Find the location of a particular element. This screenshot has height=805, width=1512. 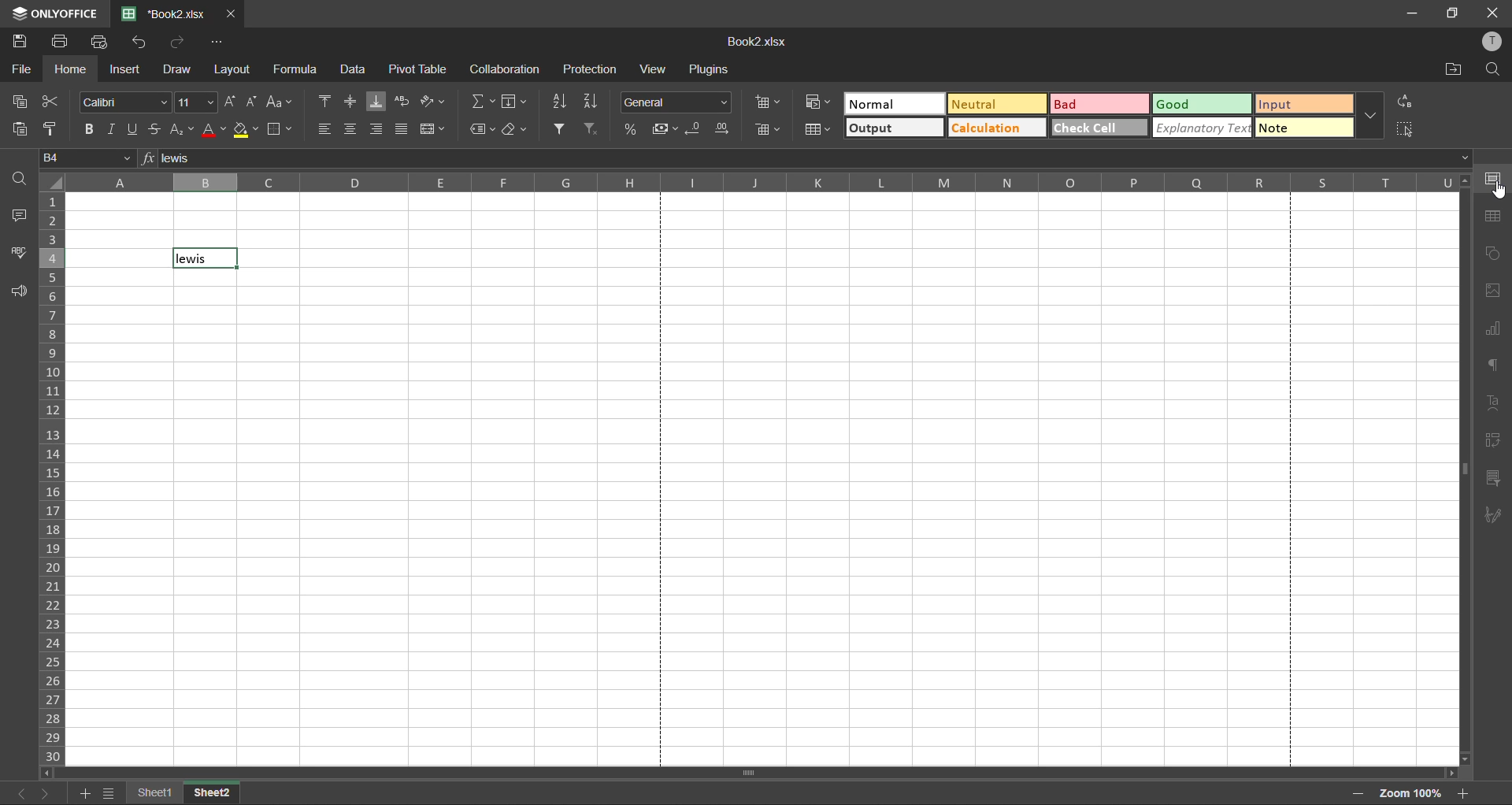

insert cells is located at coordinates (771, 104).